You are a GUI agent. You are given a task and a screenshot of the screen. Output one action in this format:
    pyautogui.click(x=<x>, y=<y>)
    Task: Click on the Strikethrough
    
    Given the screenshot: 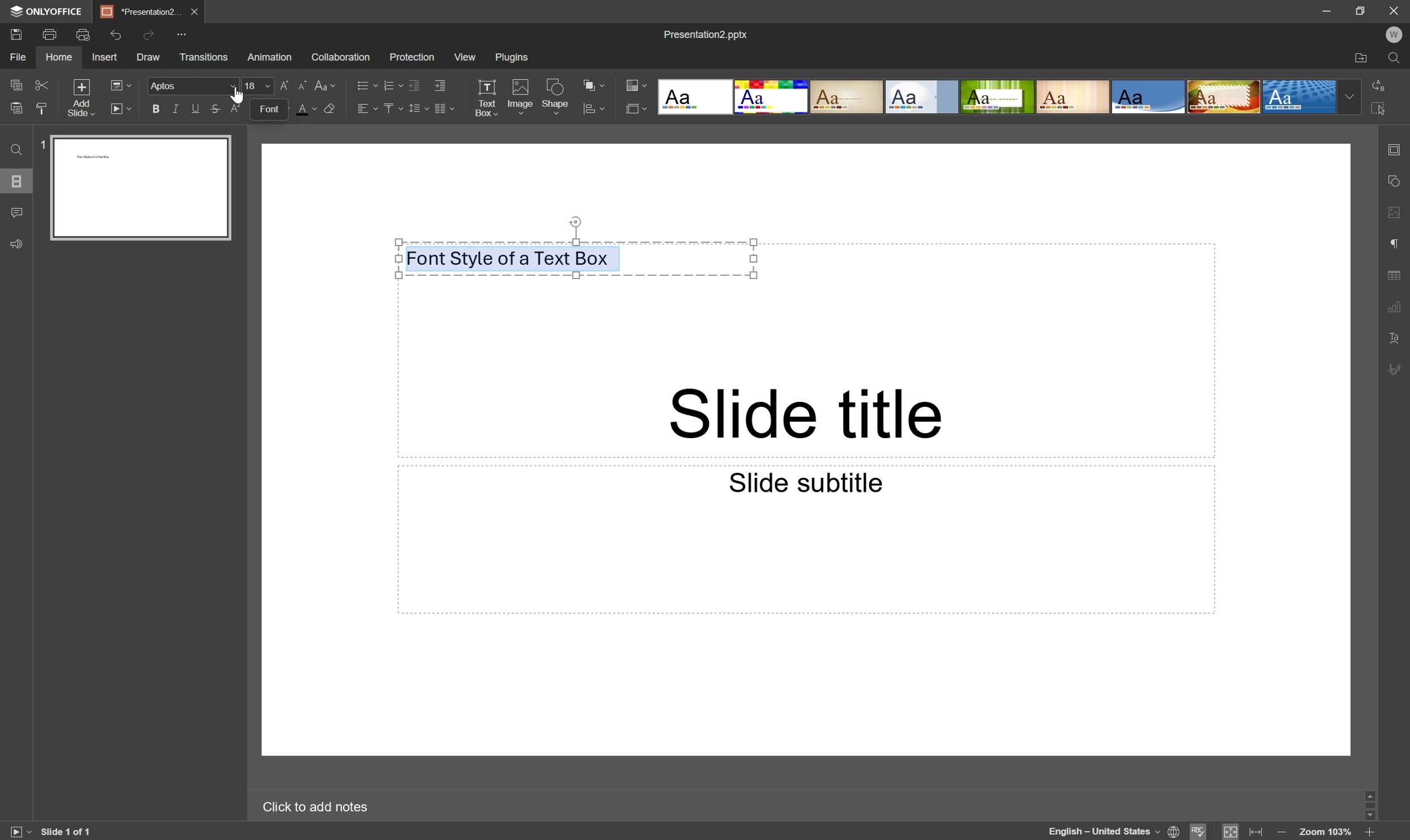 What is the action you would take?
    pyautogui.click(x=216, y=108)
    